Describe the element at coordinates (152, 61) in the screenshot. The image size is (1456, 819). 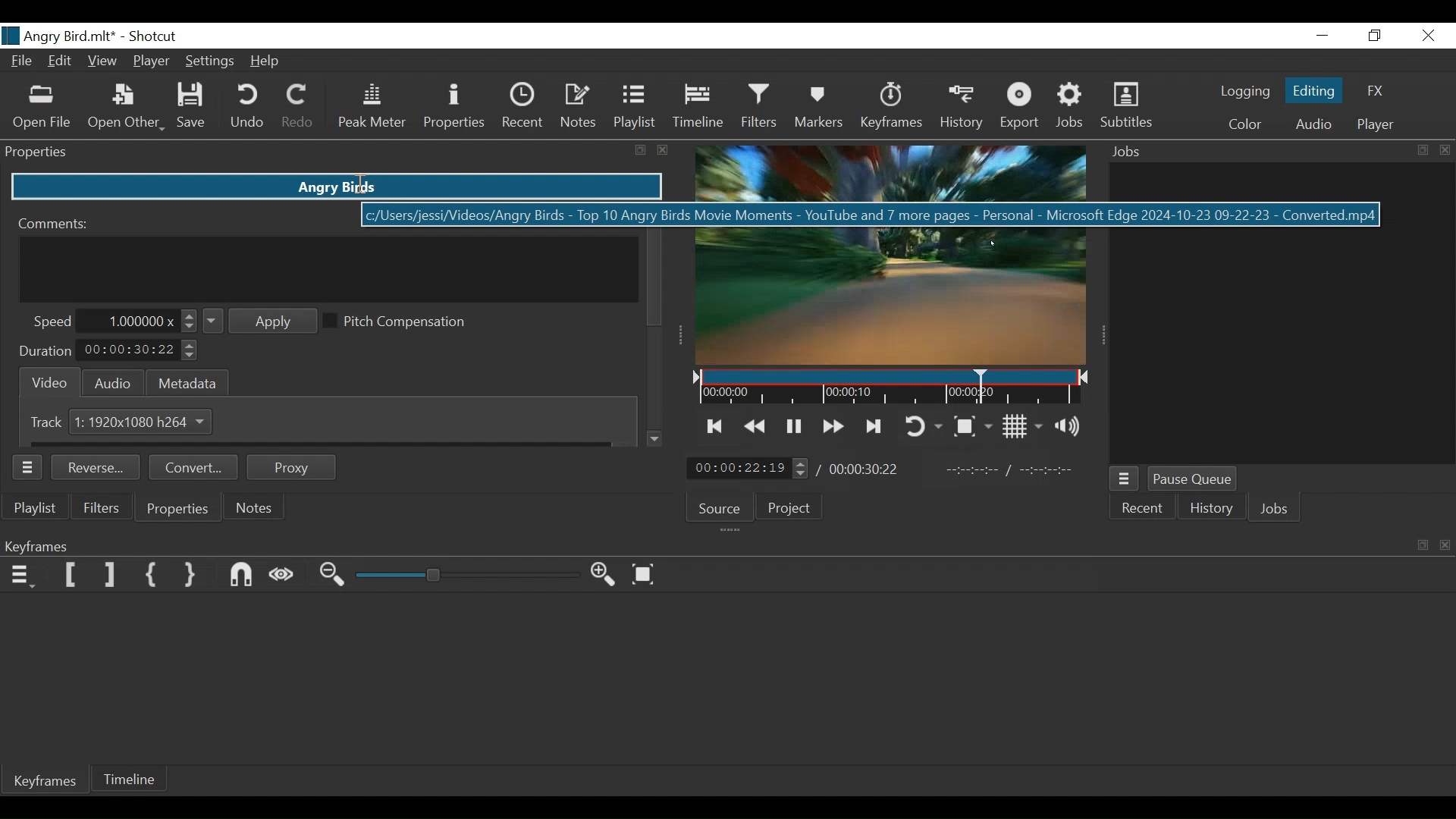
I see `Player` at that location.